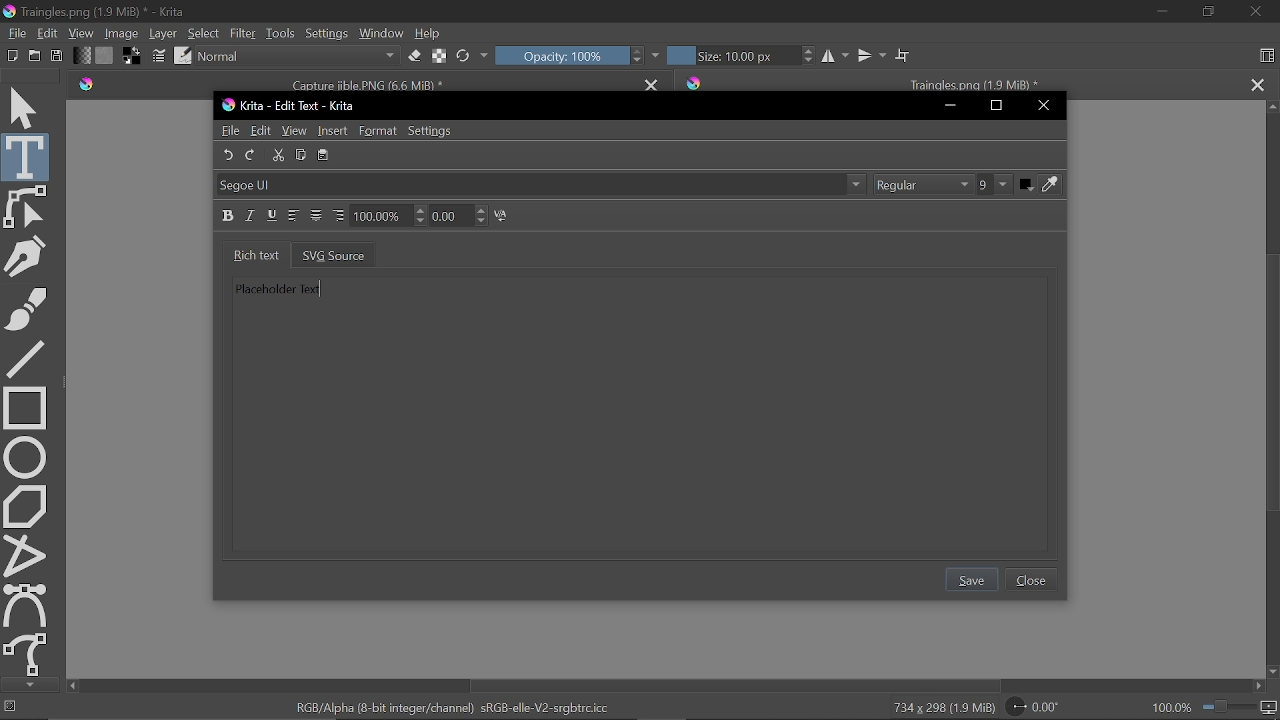 The image size is (1280, 720). What do you see at coordinates (253, 256) in the screenshot?
I see `Rich text` at bounding box center [253, 256].